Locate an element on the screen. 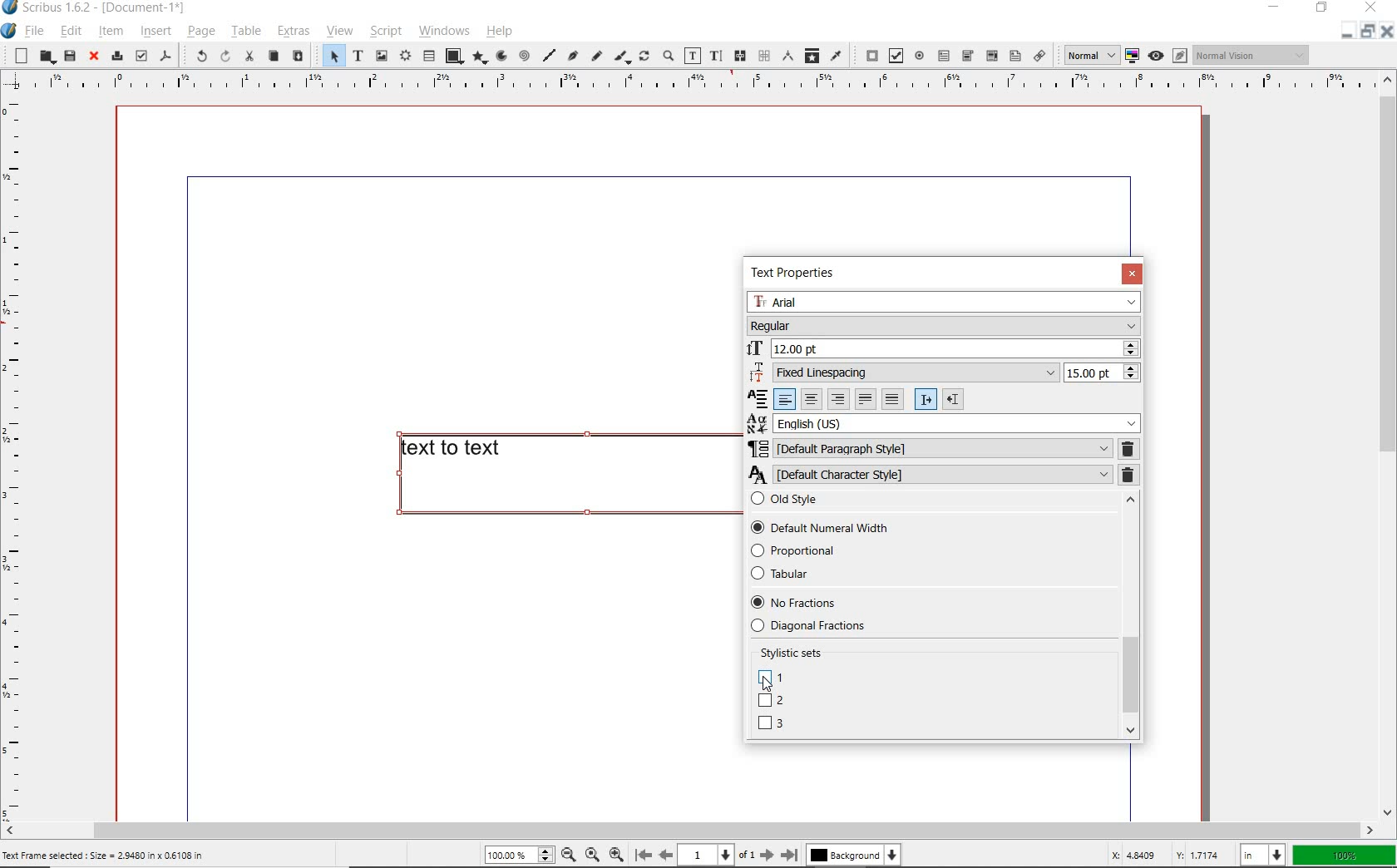 Image resolution: width=1397 pixels, height=868 pixels. edit is located at coordinates (71, 31).